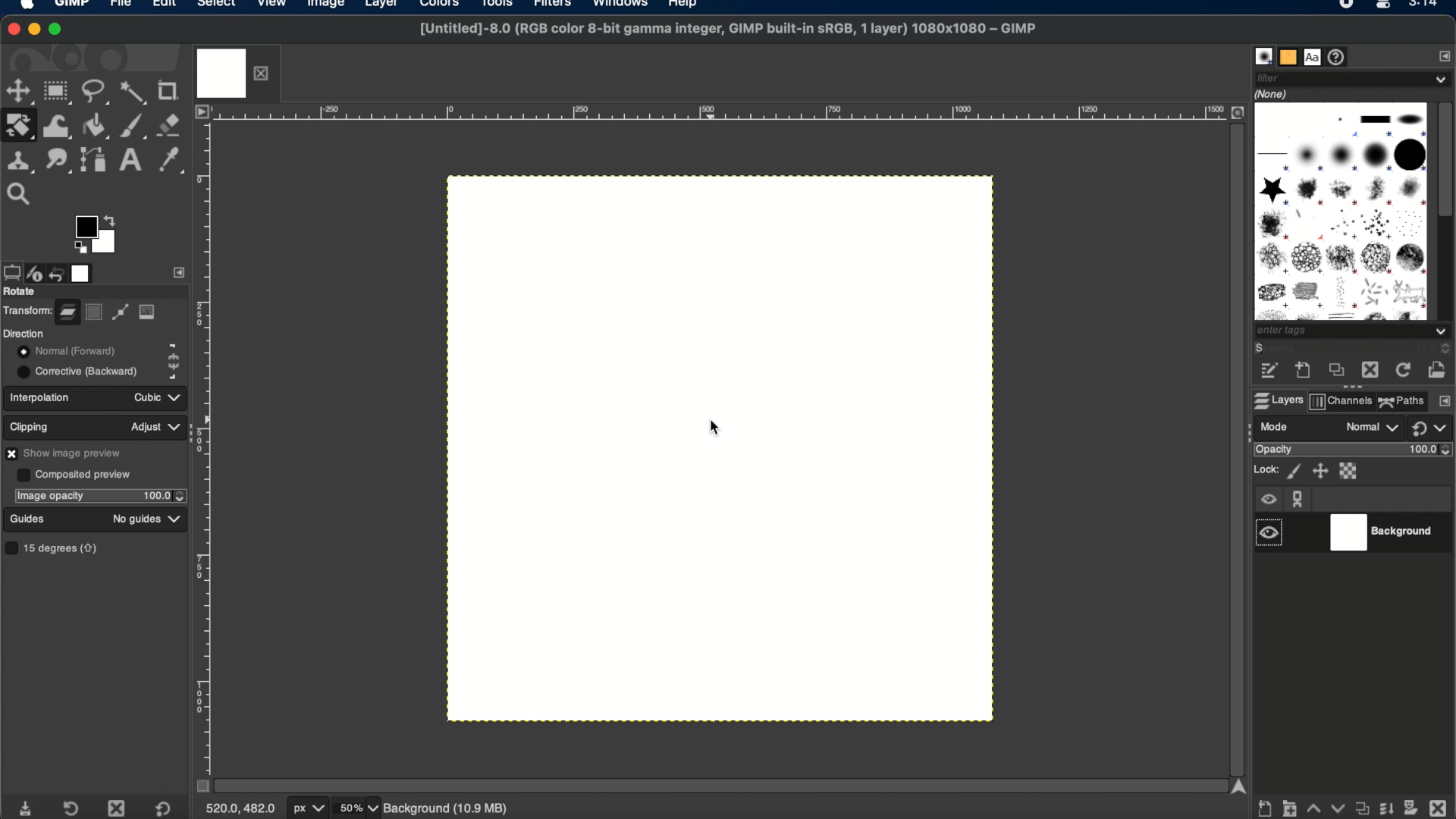 This screenshot has height=819, width=1456. I want to click on image , so click(148, 312).